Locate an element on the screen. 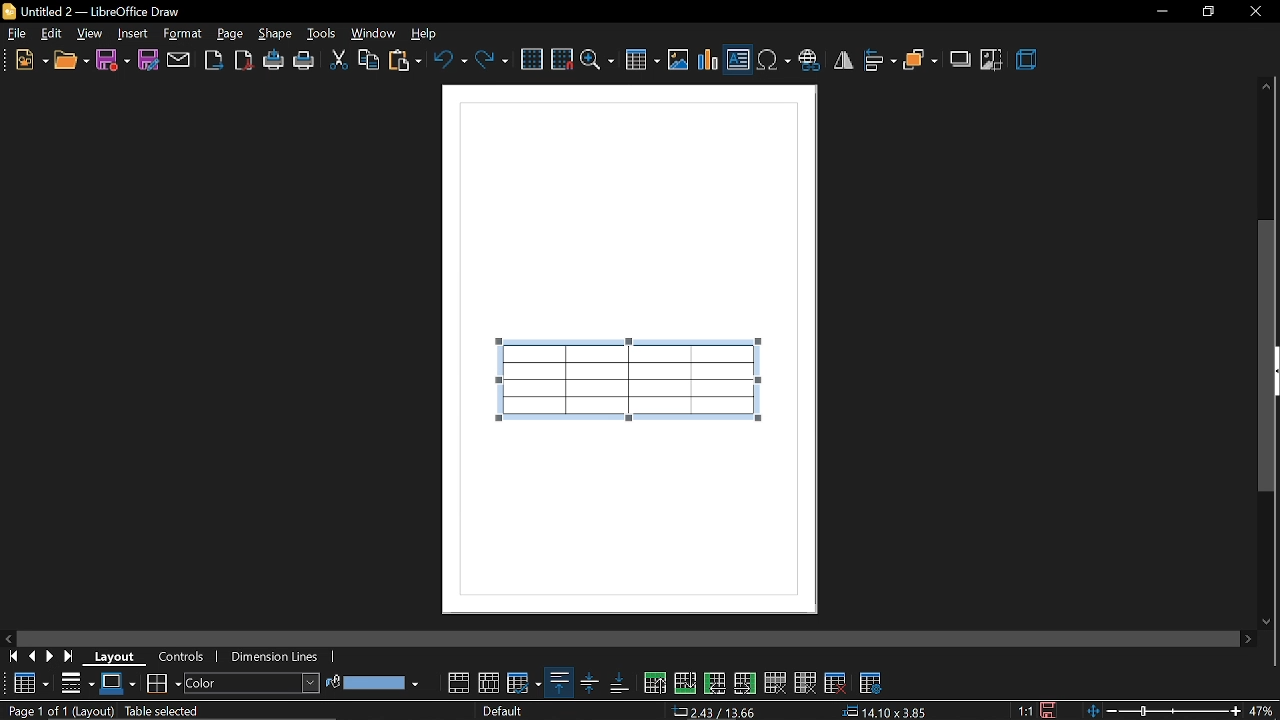  new is located at coordinates (25, 59).